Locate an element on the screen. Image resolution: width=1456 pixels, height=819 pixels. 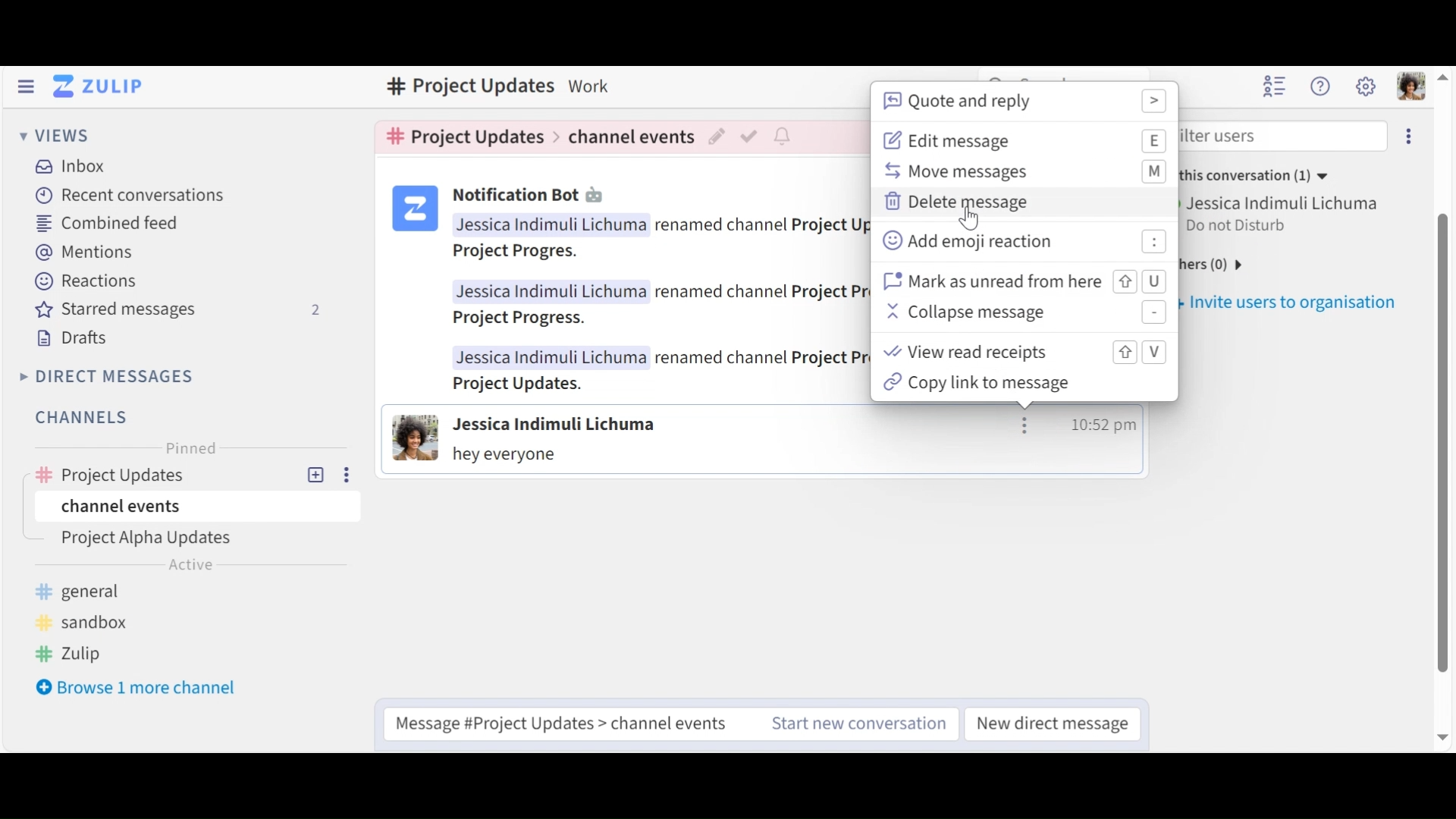
Description is located at coordinates (593, 85).